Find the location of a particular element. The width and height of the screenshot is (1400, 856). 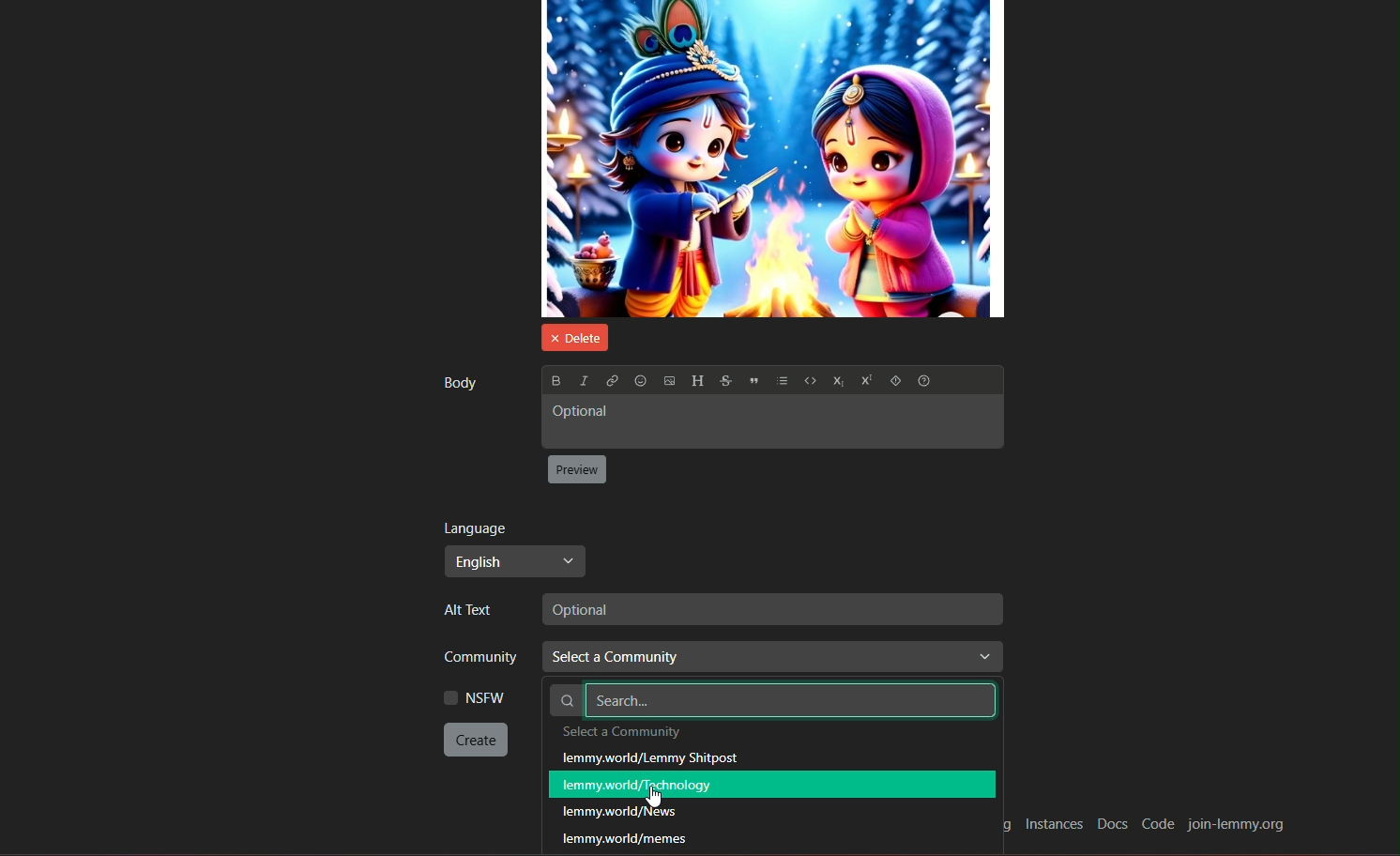

 is located at coordinates (864, 382).